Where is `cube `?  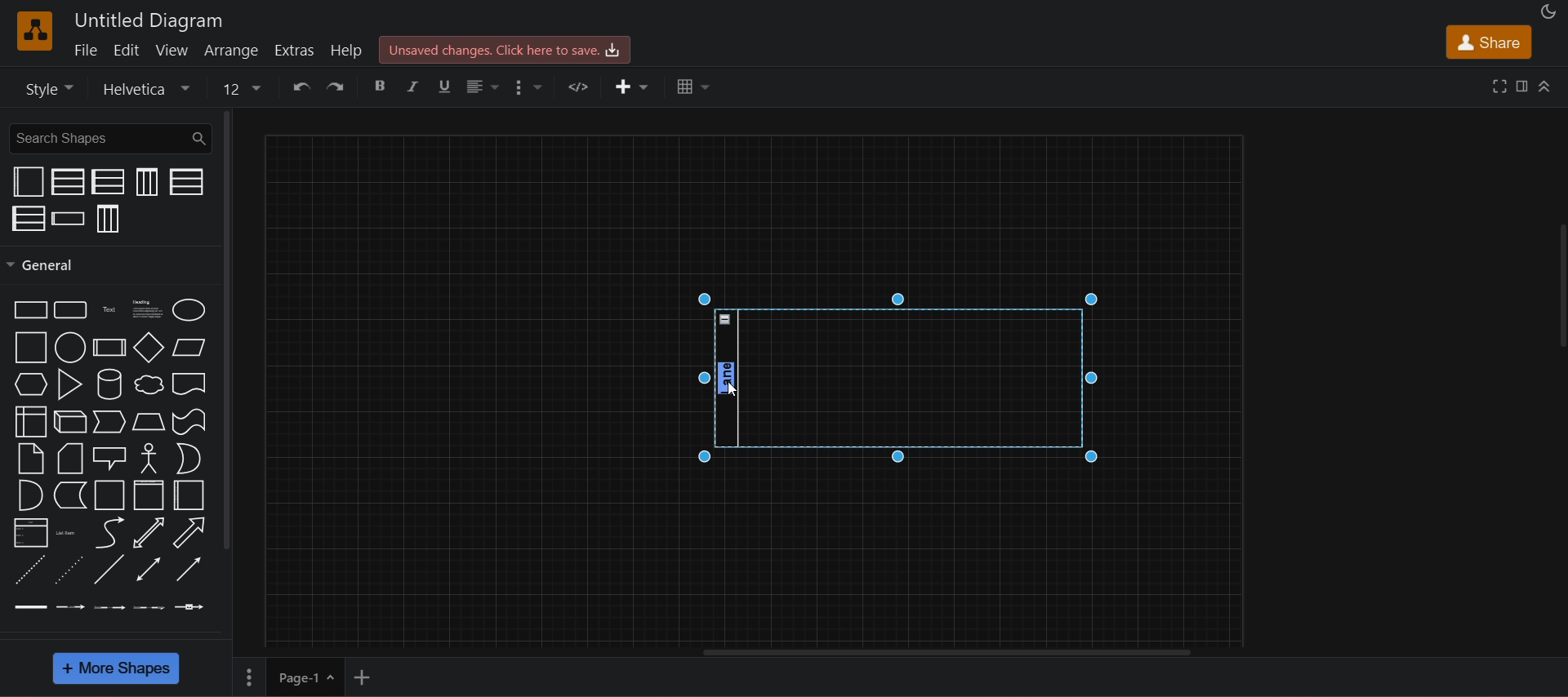
cube  is located at coordinates (69, 422).